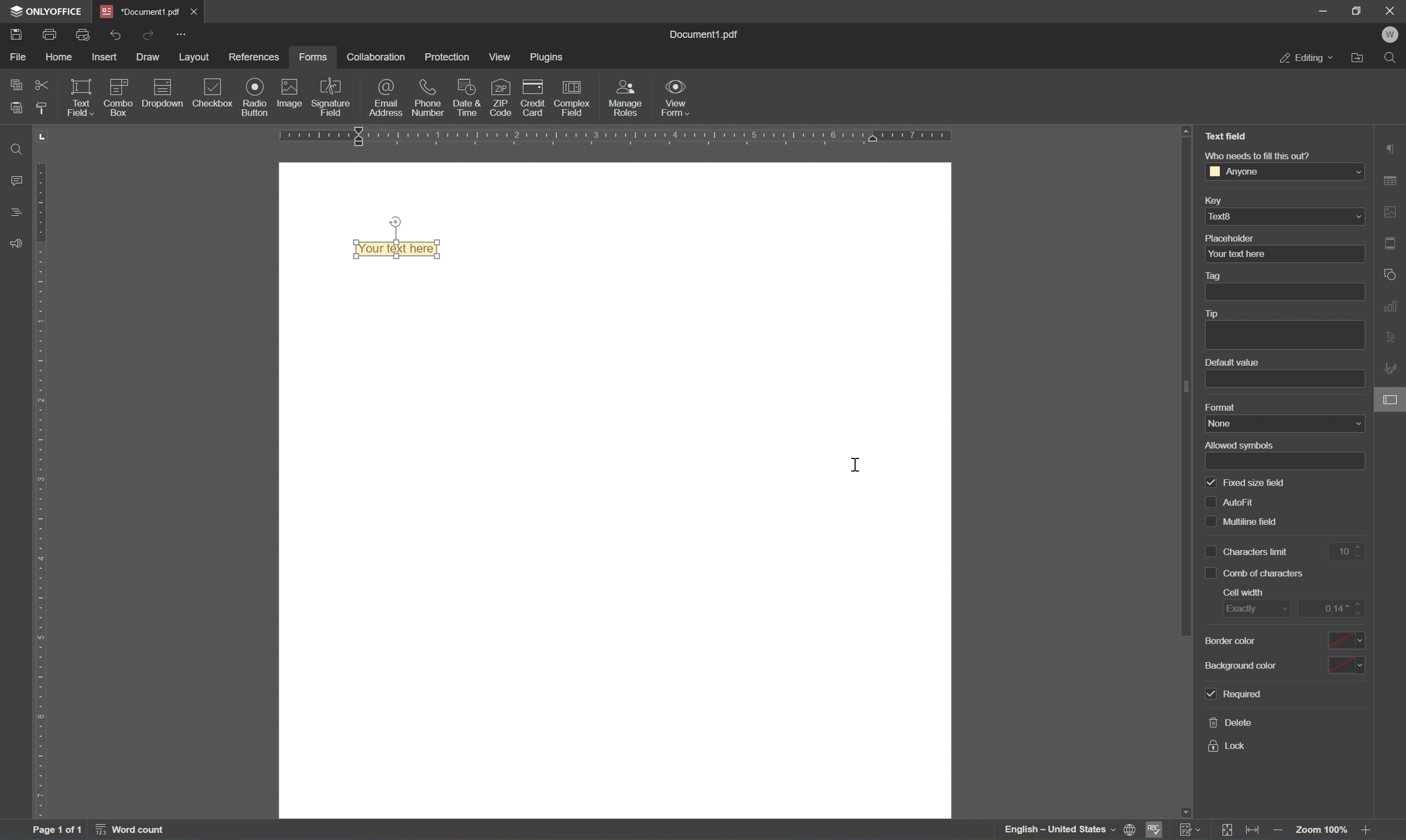 The height and width of the screenshot is (840, 1406). Describe the element at coordinates (1285, 216) in the screenshot. I see `Text3` at that location.